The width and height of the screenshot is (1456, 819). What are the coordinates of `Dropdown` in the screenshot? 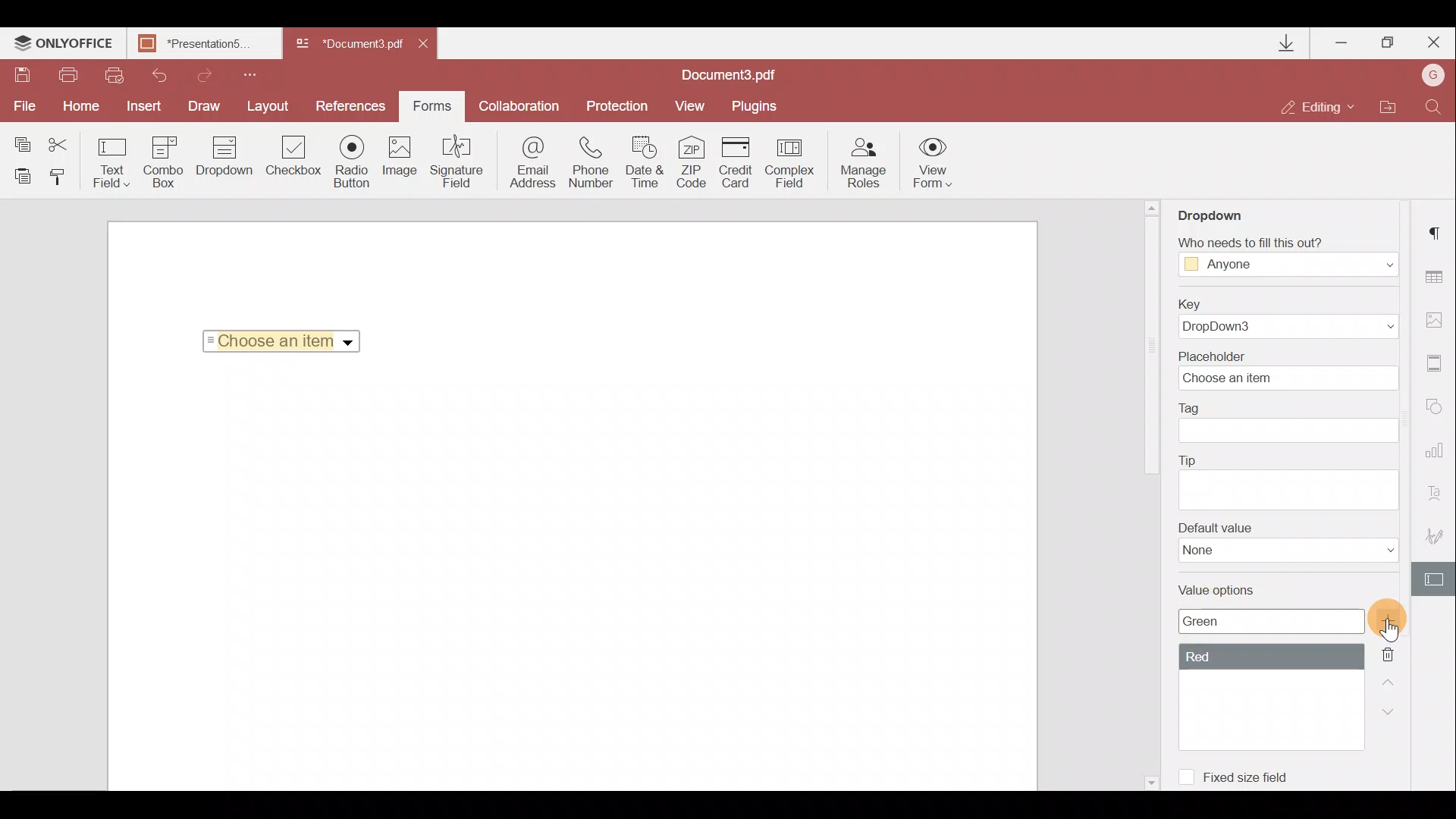 It's located at (221, 165).